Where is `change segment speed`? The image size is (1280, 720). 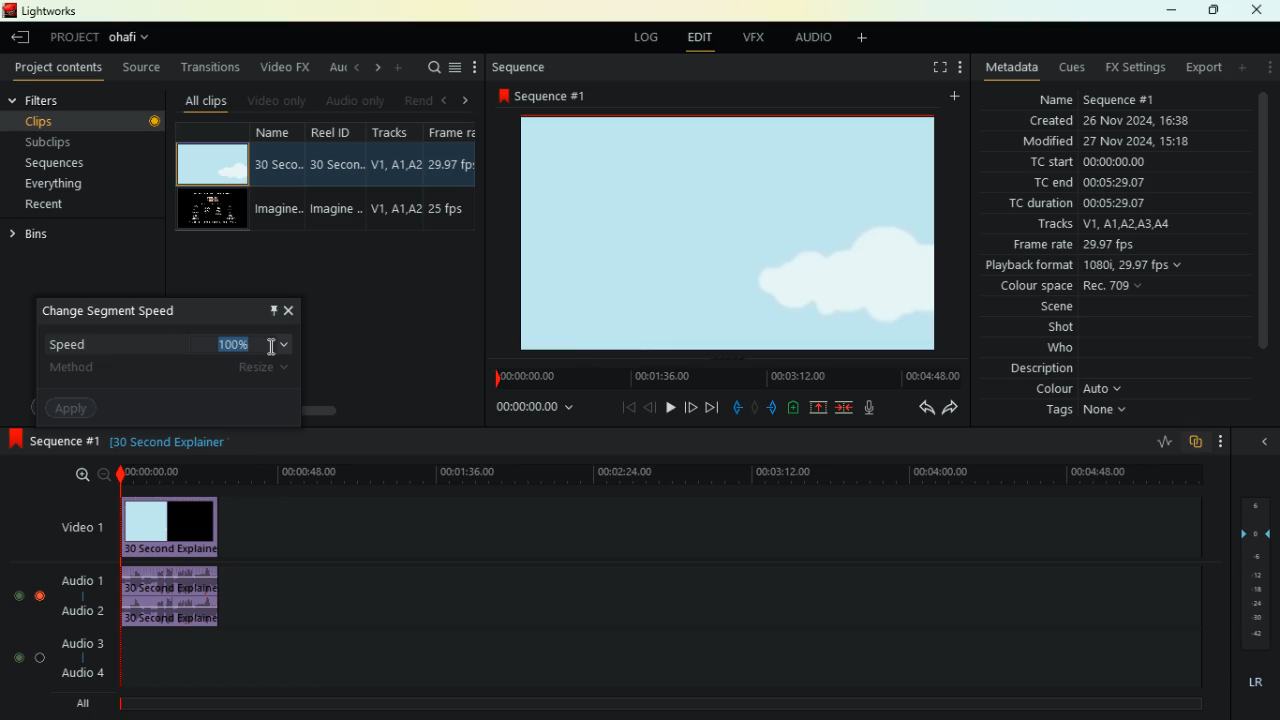
change segment speed is located at coordinates (123, 311).